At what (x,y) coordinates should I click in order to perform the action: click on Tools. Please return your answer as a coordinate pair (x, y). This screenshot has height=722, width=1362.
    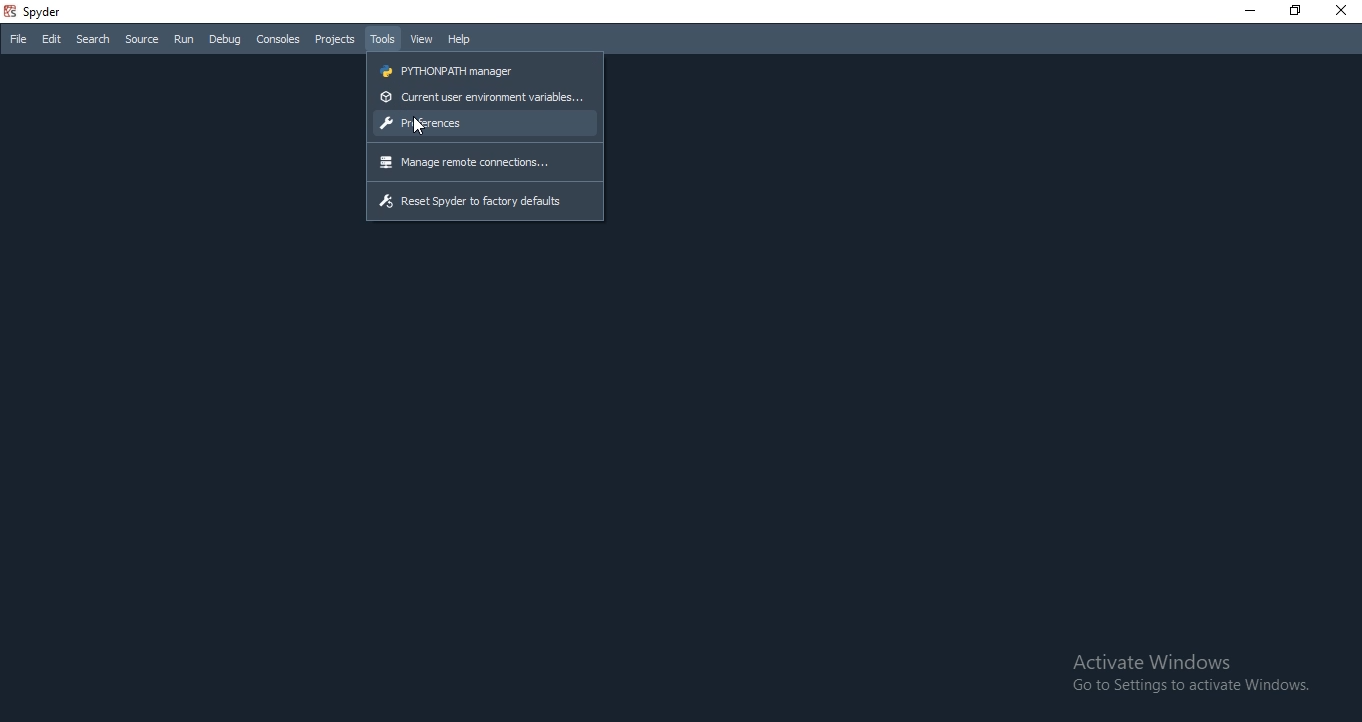
    Looking at the image, I should click on (383, 39).